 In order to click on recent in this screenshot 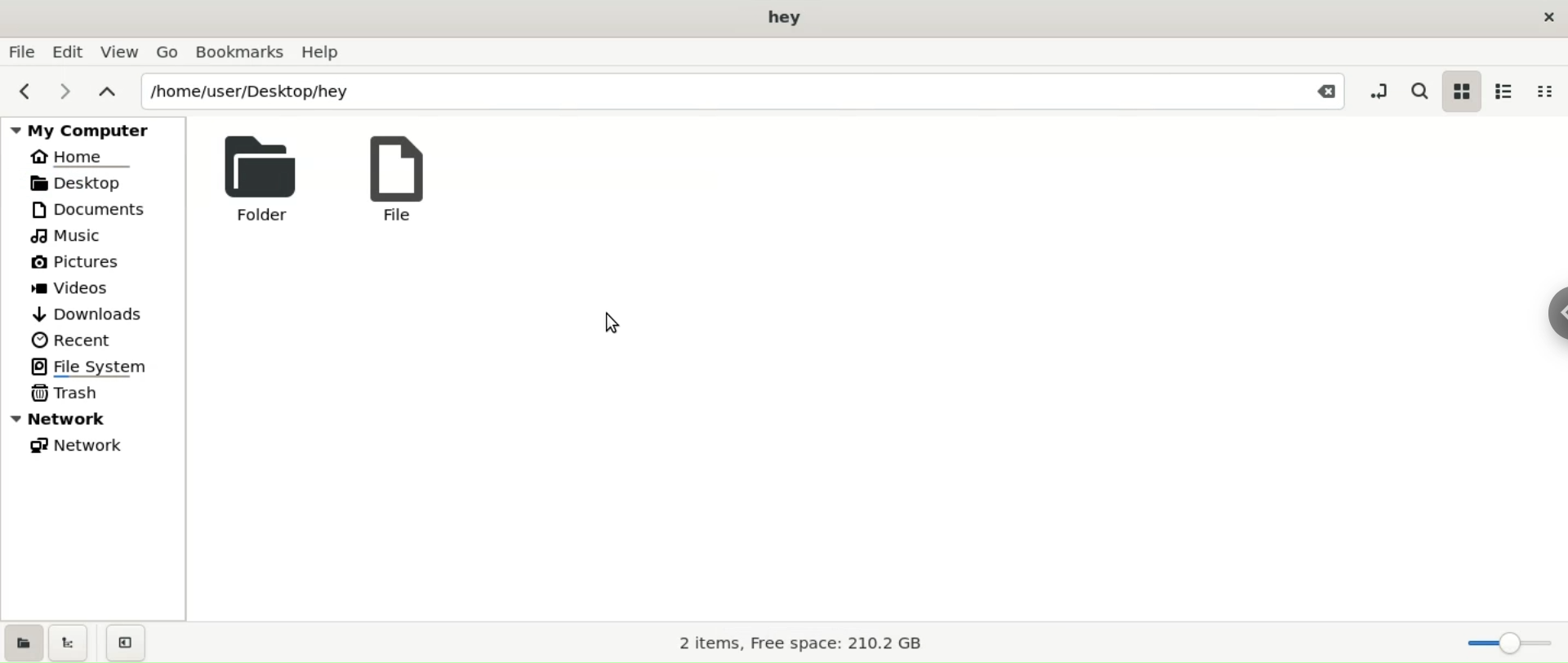, I will do `click(74, 341)`.